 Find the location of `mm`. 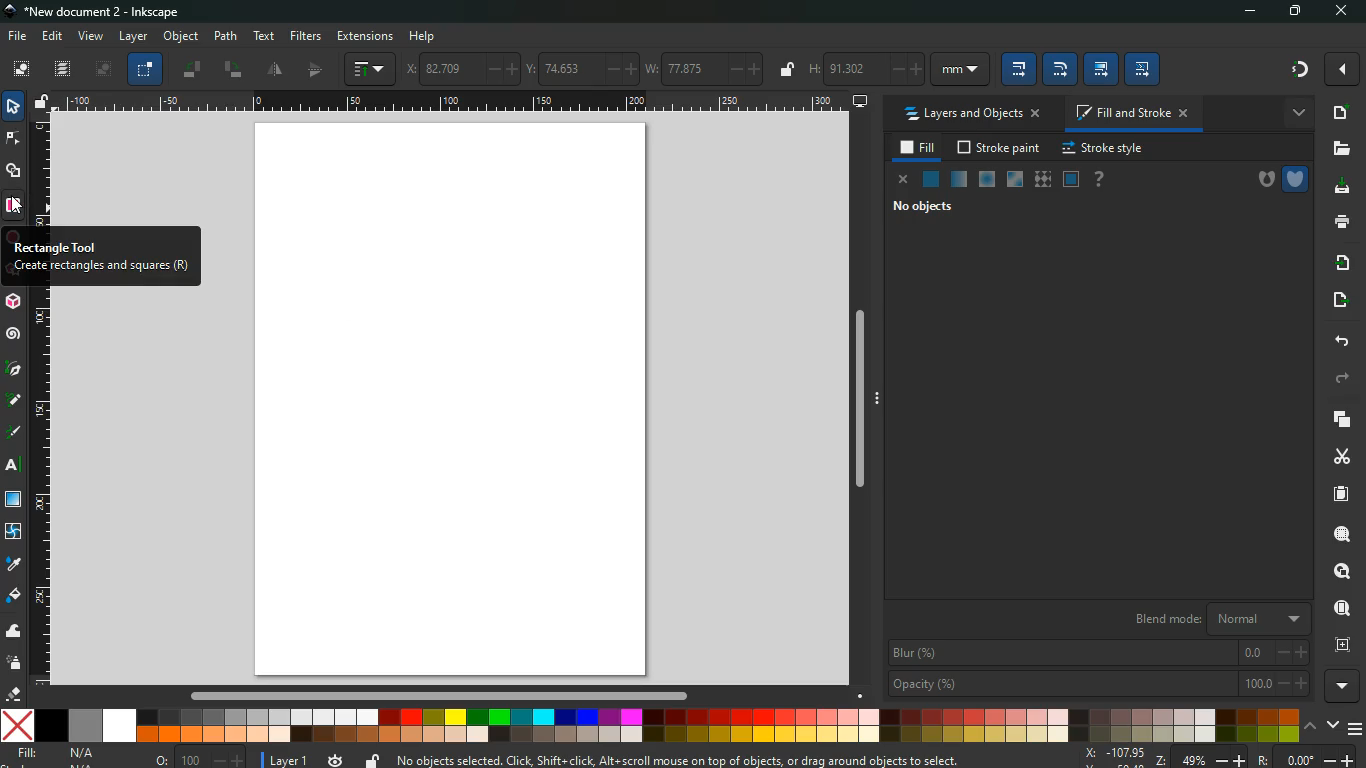

mm is located at coordinates (958, 70).